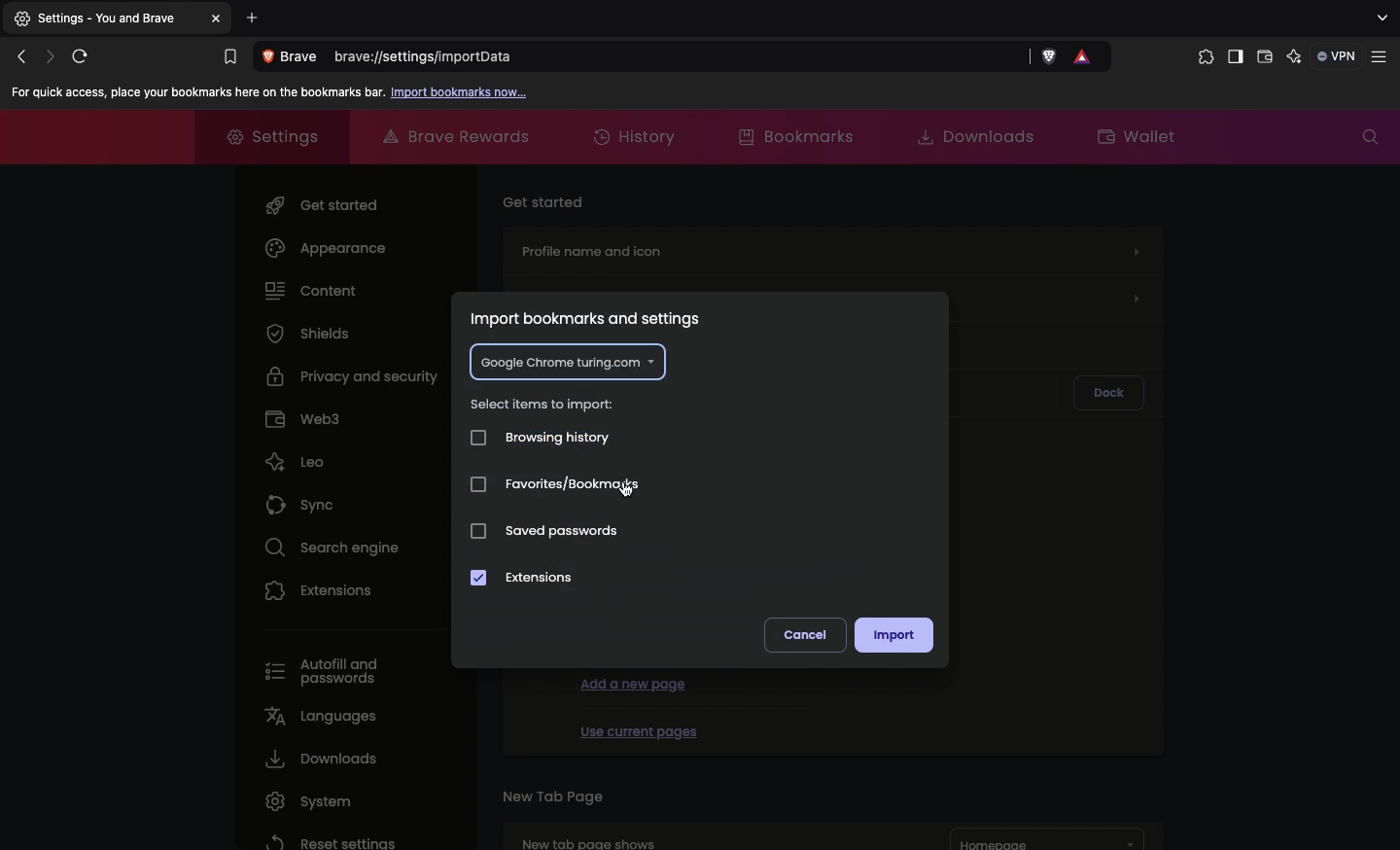  I want to click on VPN, so click(1338, 55).